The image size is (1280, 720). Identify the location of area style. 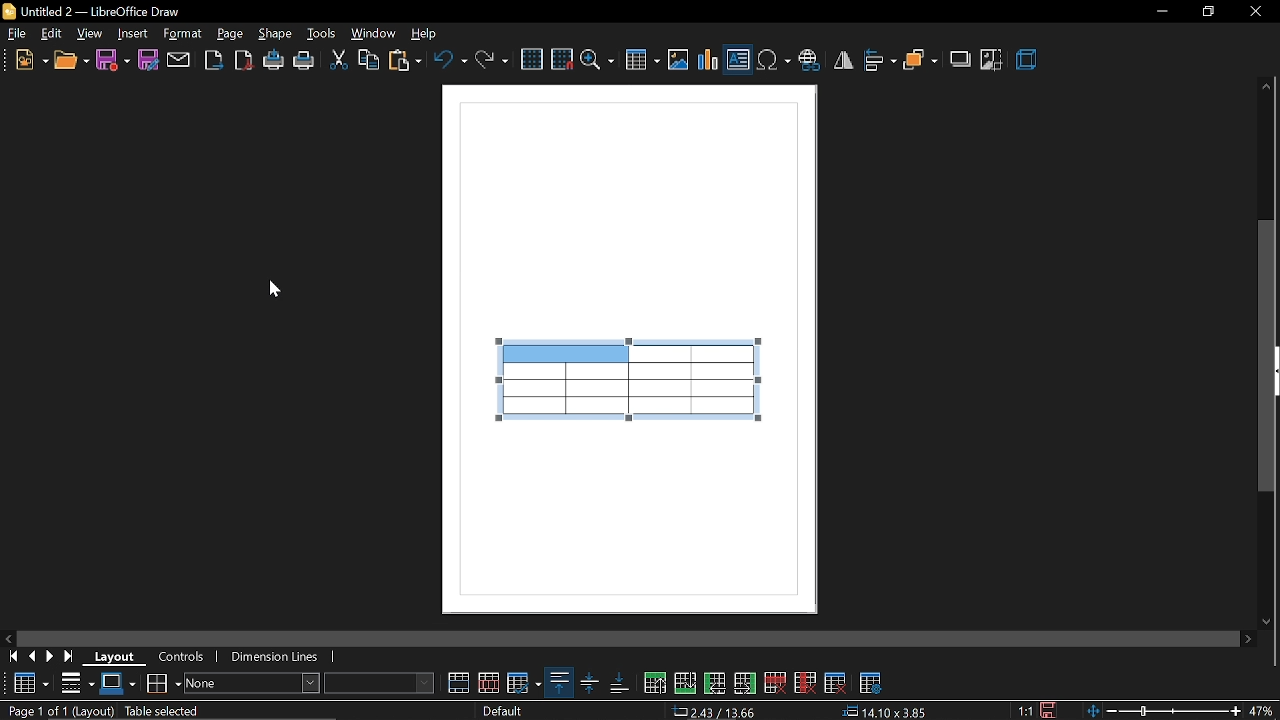
(253, 685).